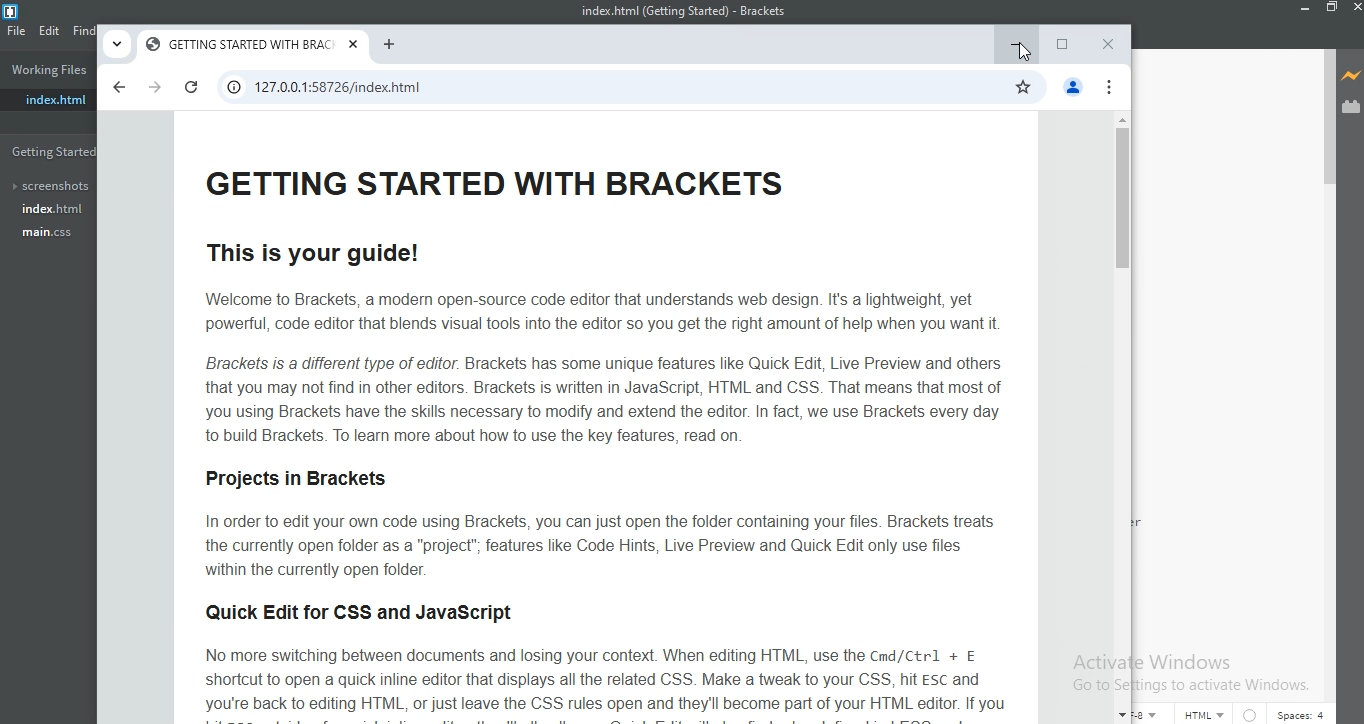 The image size is (1364, 724). What do you see at coordinates (1115, 89) in the screenshot?
I see `options` at bounding box center [1115, 89].